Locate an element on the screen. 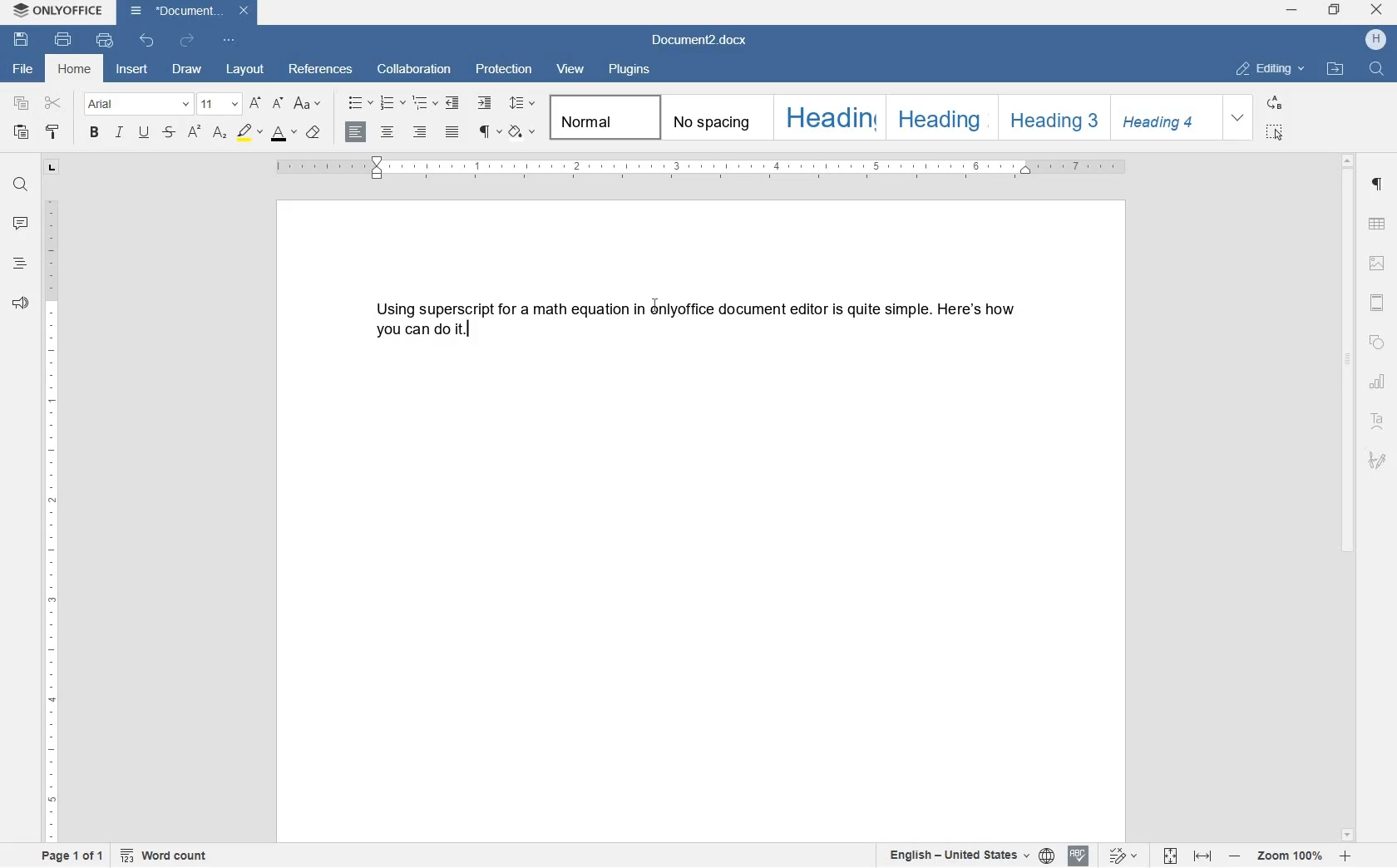  clear style is located at coordinates (314, 133).